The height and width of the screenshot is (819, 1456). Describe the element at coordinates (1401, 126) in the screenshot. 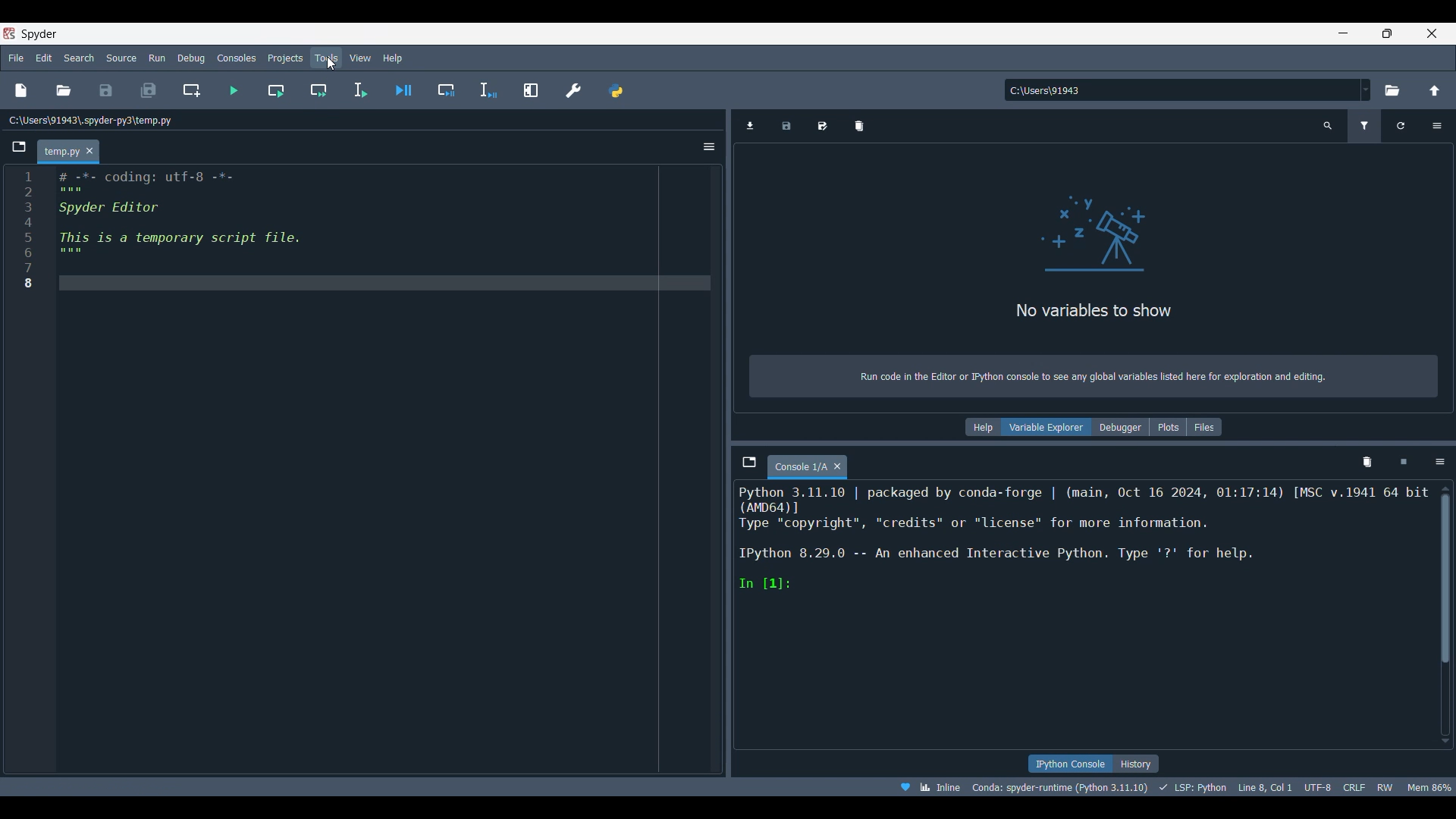

I see `Refresh variables` at that location.